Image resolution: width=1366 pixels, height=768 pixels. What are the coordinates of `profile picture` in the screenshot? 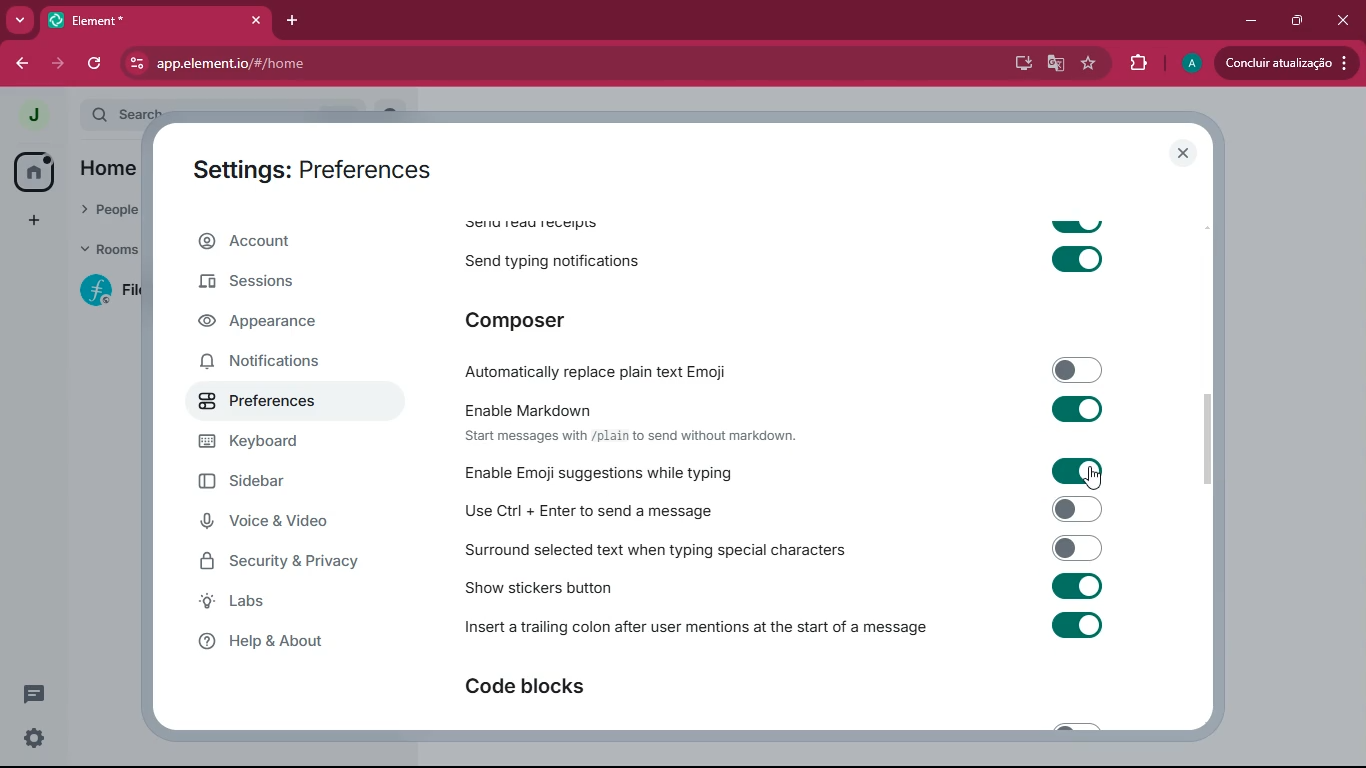 It's located at (28, 114).